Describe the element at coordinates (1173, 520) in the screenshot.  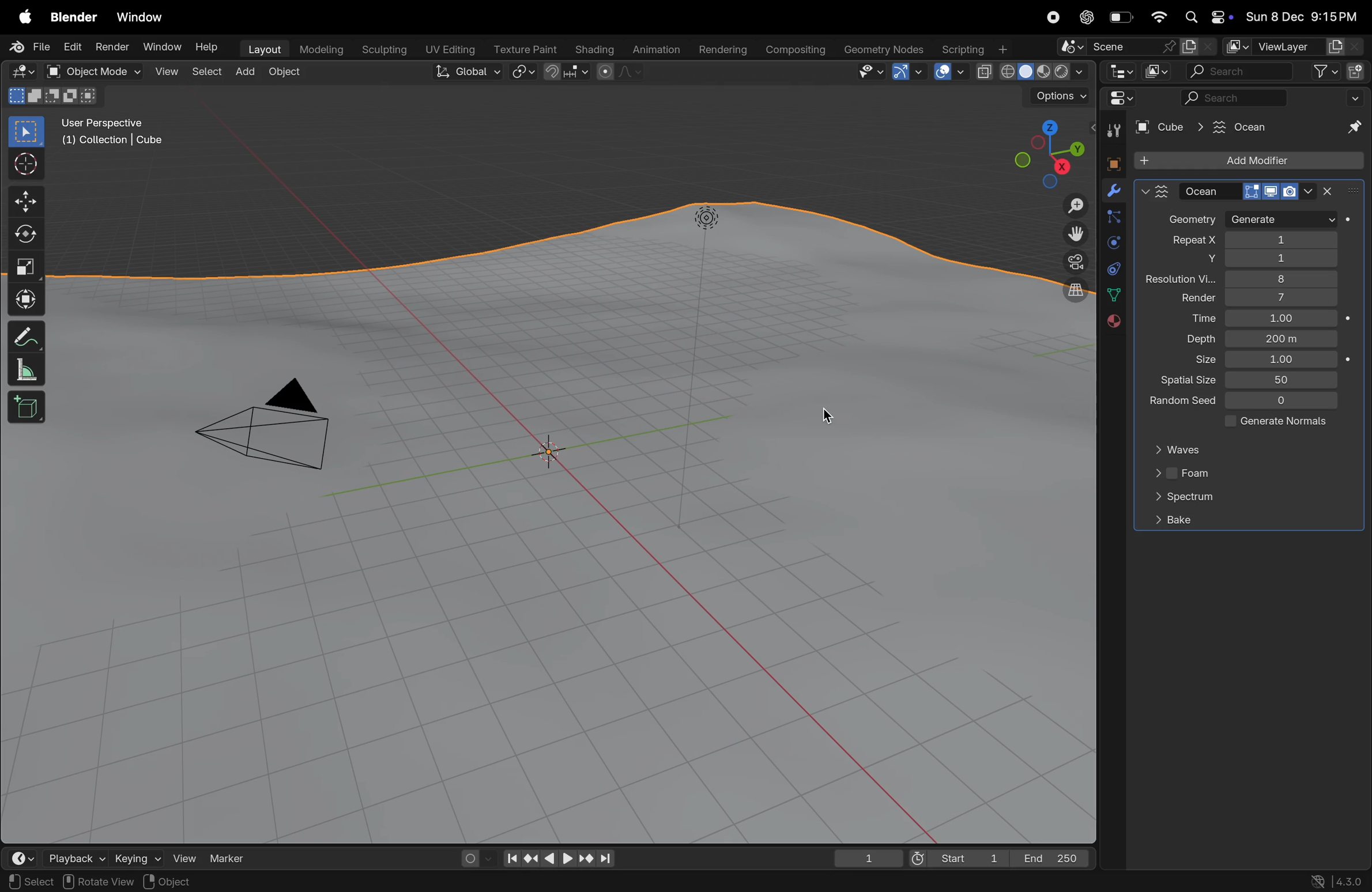
I see `blake` at that location.